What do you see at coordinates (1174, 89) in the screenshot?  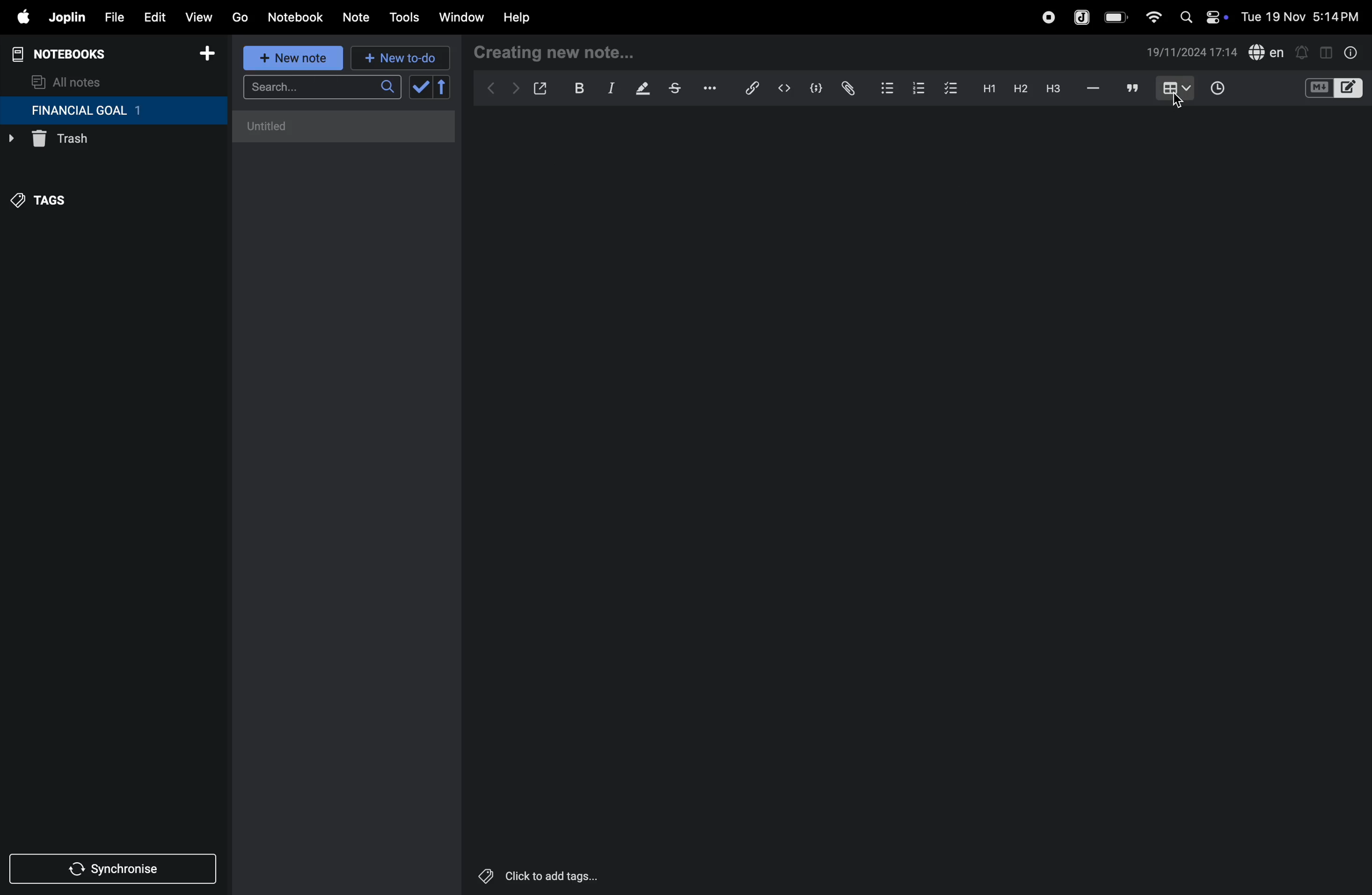 I see `insert table` at bounding box center [1174, 89].